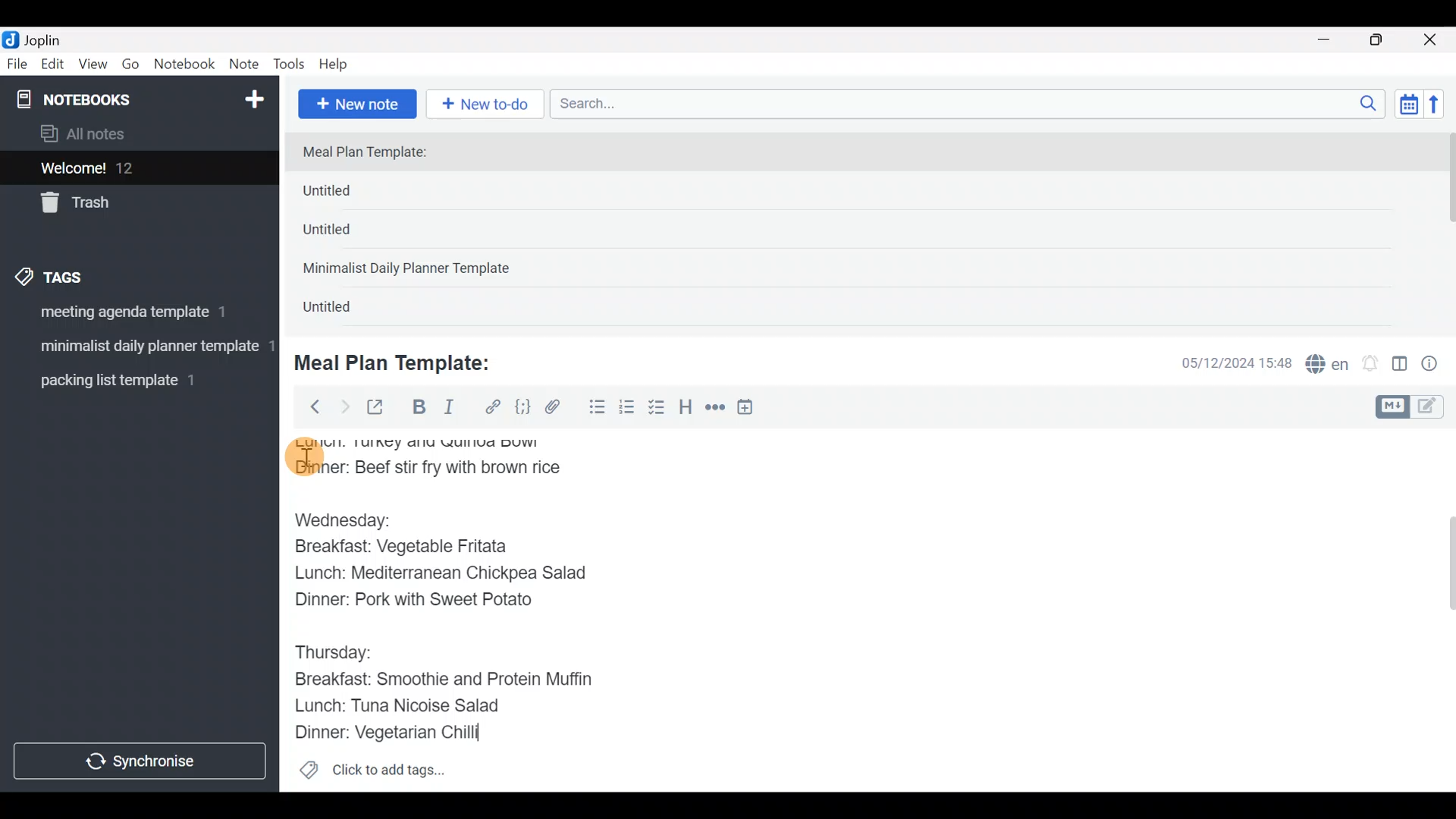 Image resolution: width=1456 pixels, height=819 pixels. Describe the element at coordinates (309, 406) in the screenshot. I see `Back` at that location.